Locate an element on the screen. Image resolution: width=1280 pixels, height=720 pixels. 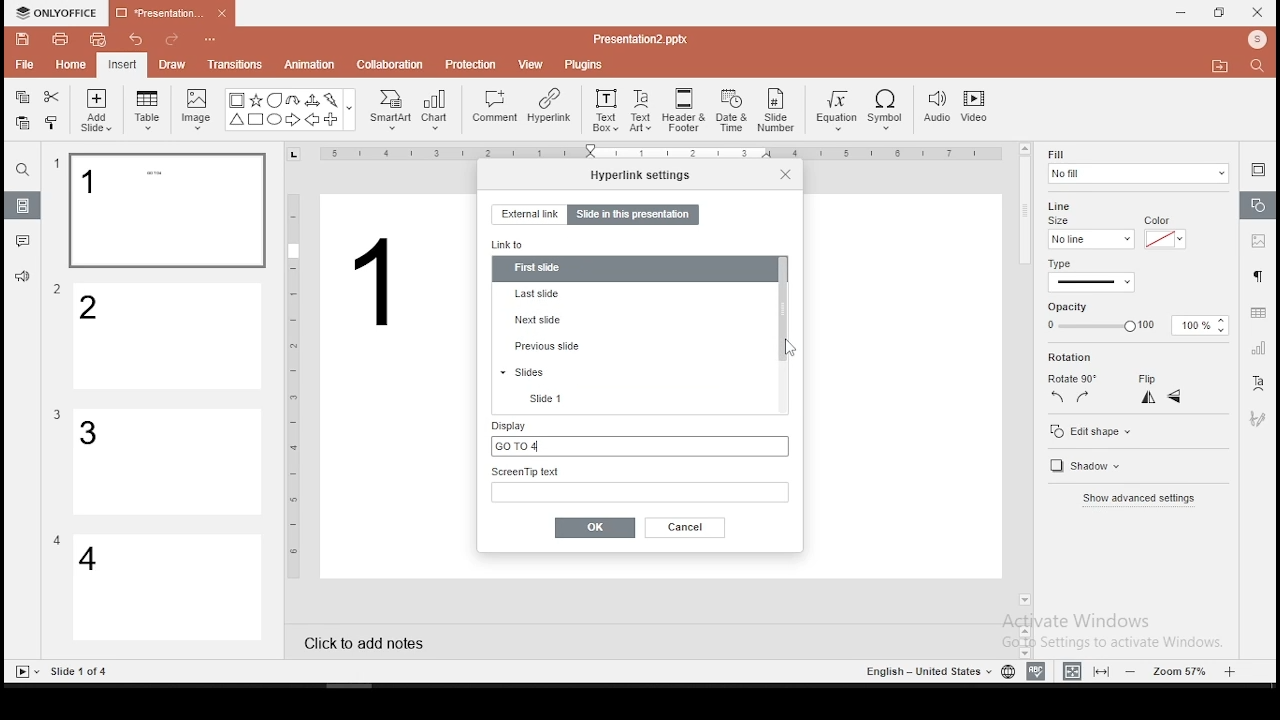
animation is located at coordinates (308, 66).